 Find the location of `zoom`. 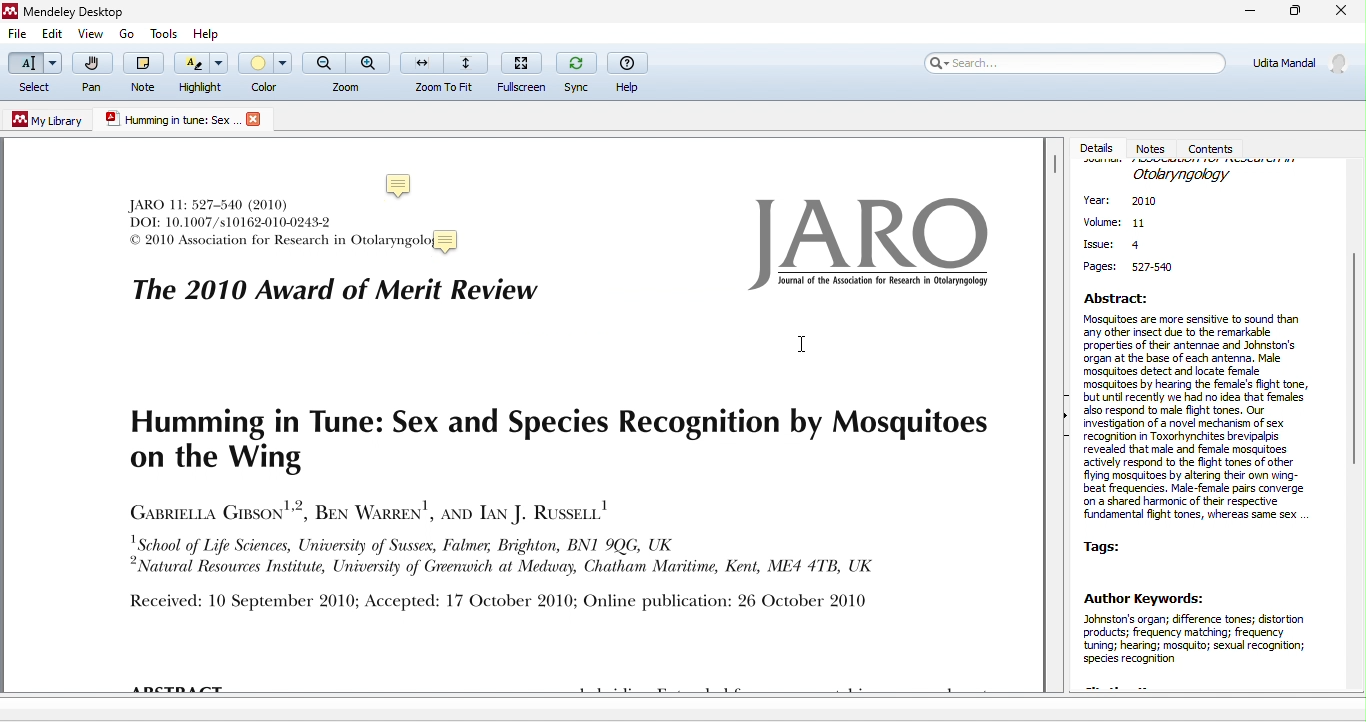

zoom is located at coordinates (346, 72).